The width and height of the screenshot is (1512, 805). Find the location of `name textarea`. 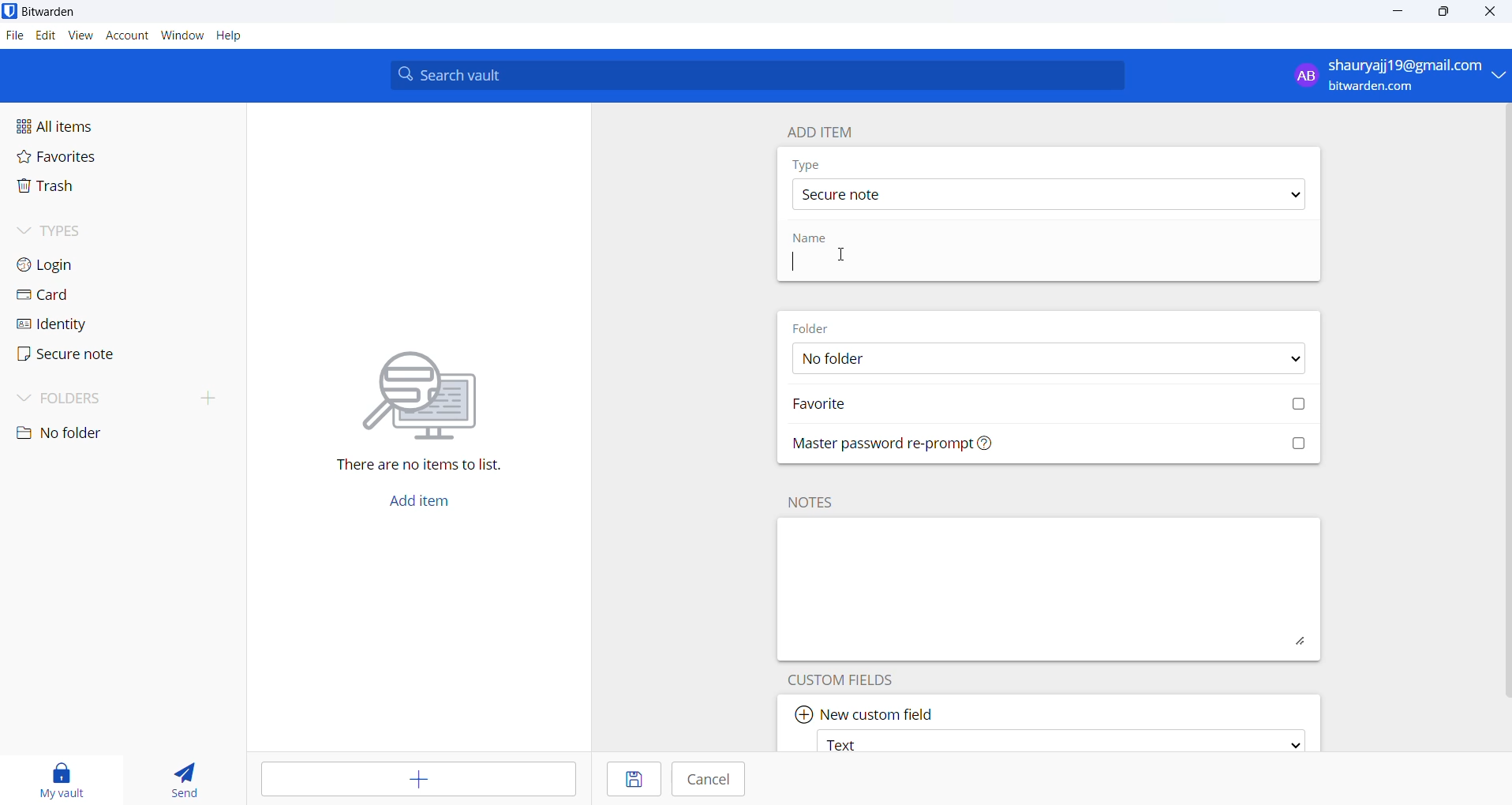

name textarea is located at coordinates (963, 264).